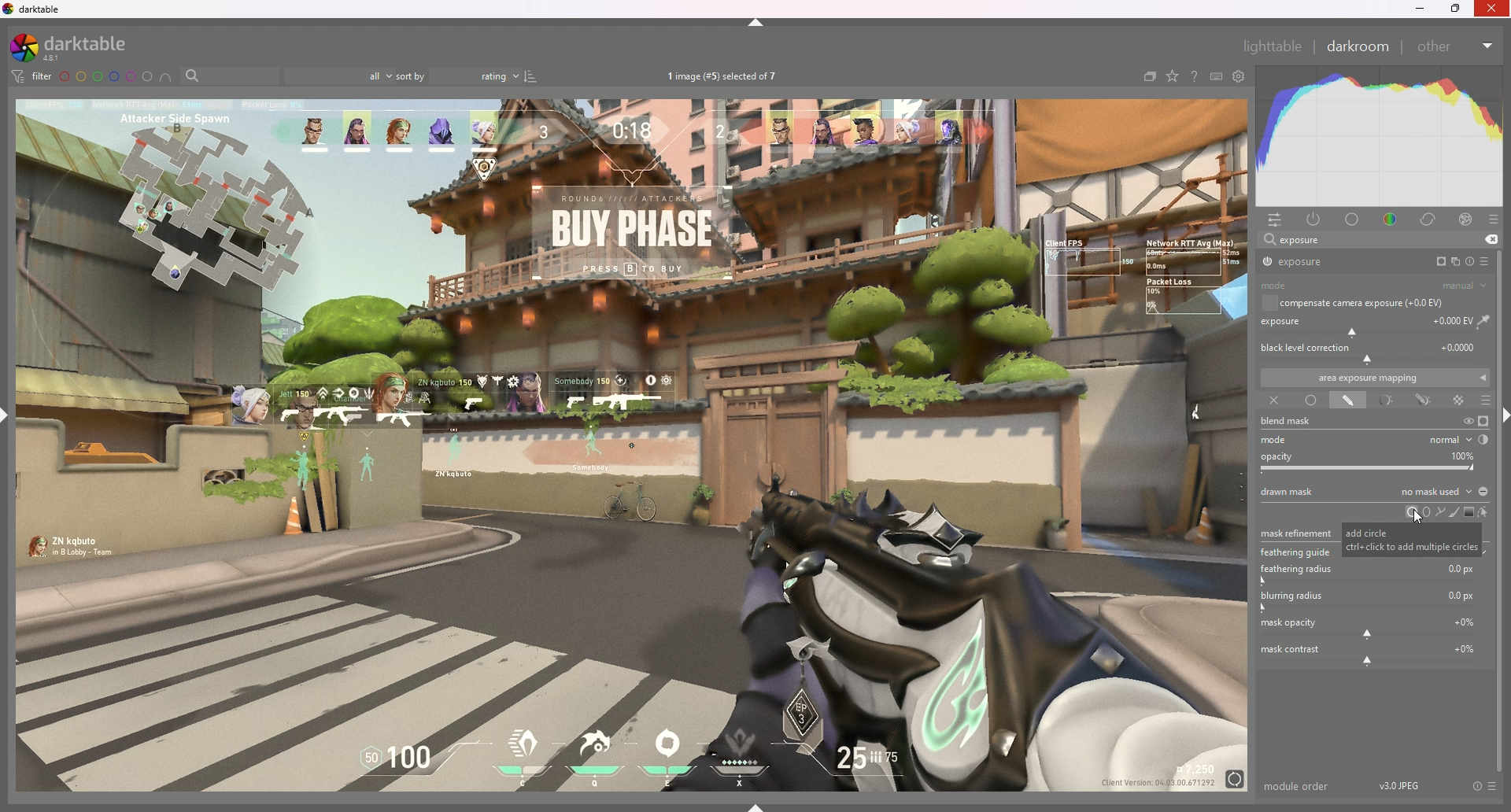 The height and width of the screenshot is (812, 1511). I want to click on mask contrast, so click(1372, 654).